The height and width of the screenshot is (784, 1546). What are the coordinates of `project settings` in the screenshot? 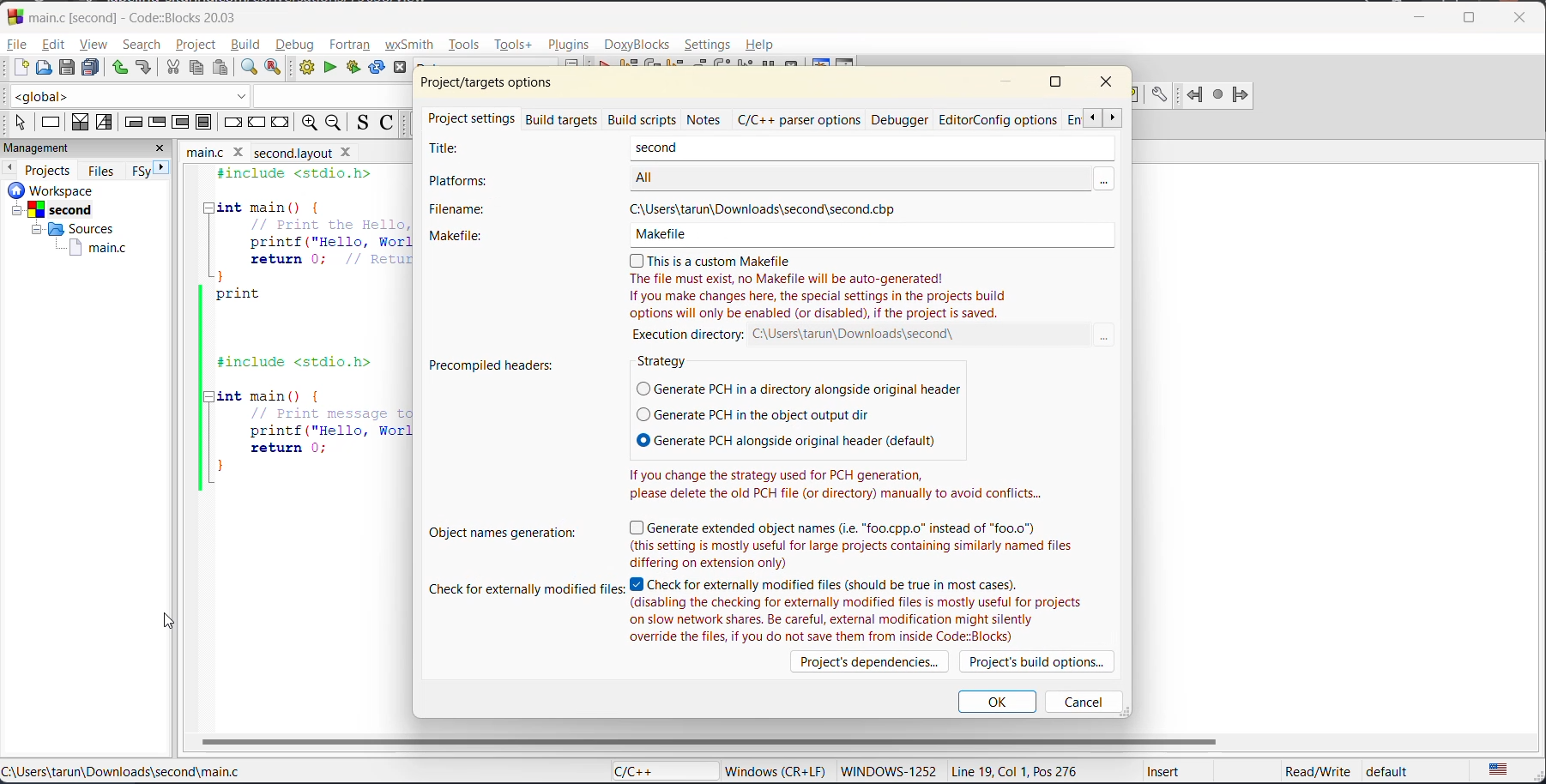 It's located at (468, 119).